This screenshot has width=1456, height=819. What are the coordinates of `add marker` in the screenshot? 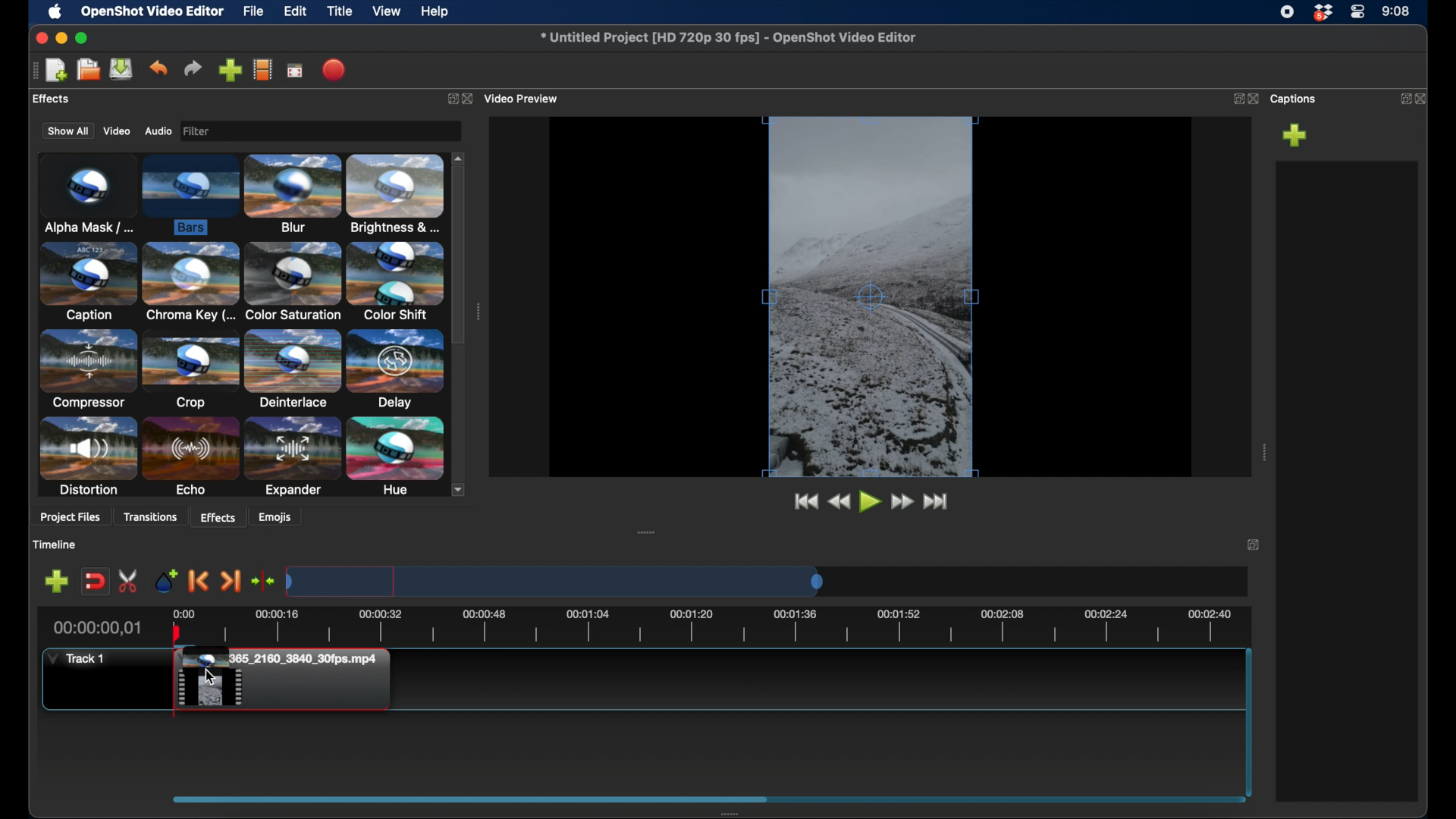 It's located at (168, 581).